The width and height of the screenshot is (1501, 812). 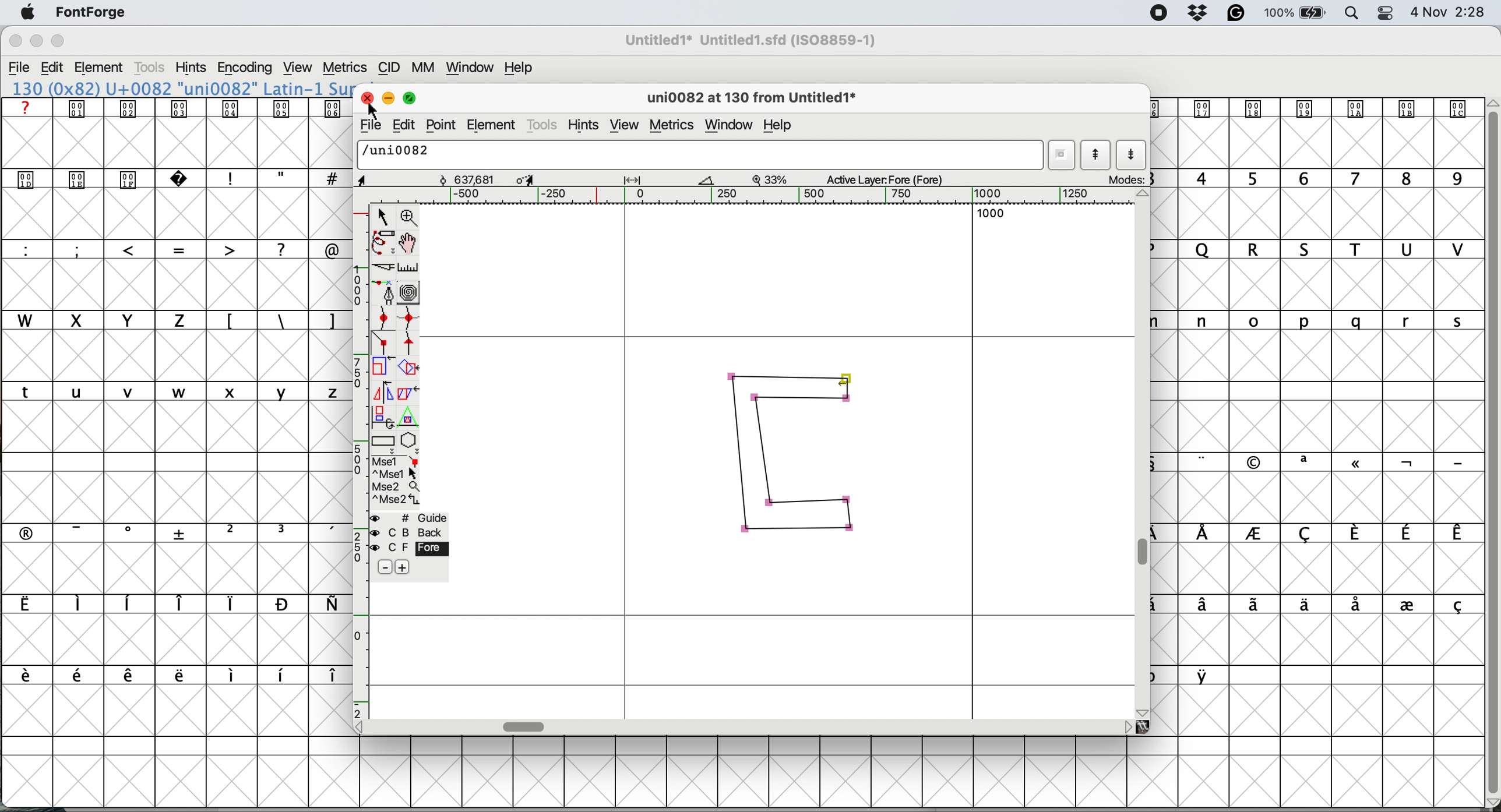 What do you see at coordinates (803, 397) in the screenshot?
I see `corner points connected` at bounding box center [803, 397].